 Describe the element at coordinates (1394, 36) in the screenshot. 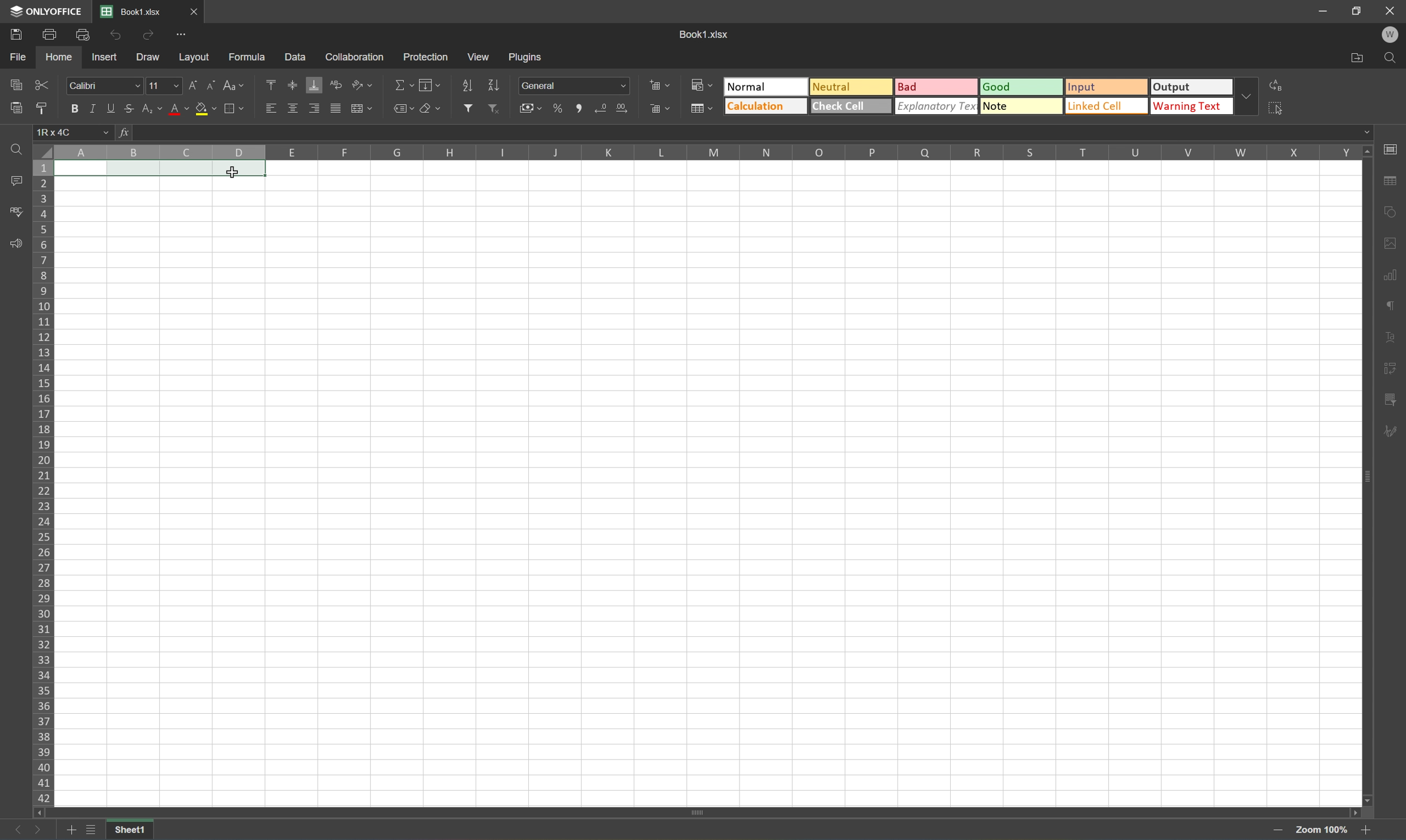

I see `Welcome` at that location.